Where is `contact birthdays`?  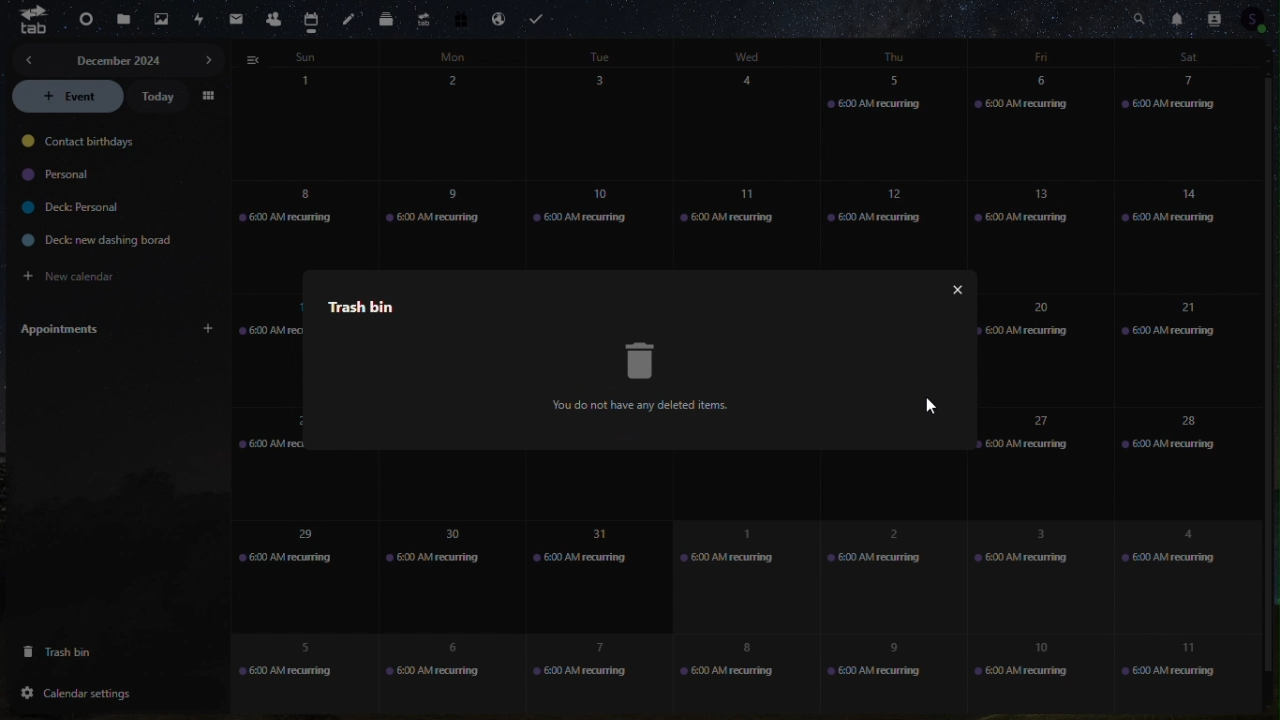
contact birthdays is located at coordinates (83, 143).